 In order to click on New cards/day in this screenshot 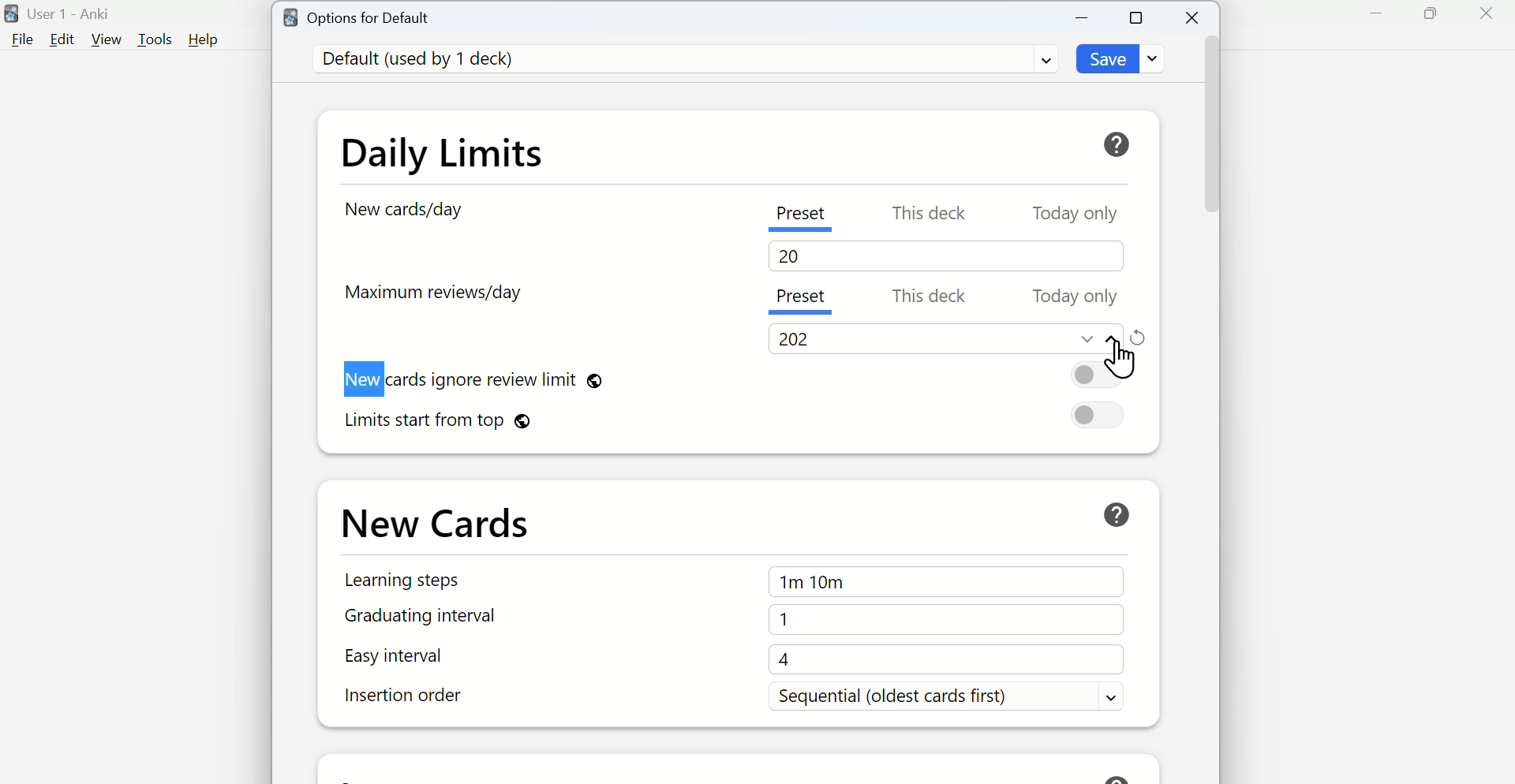, I will do `click(408, 210)`.